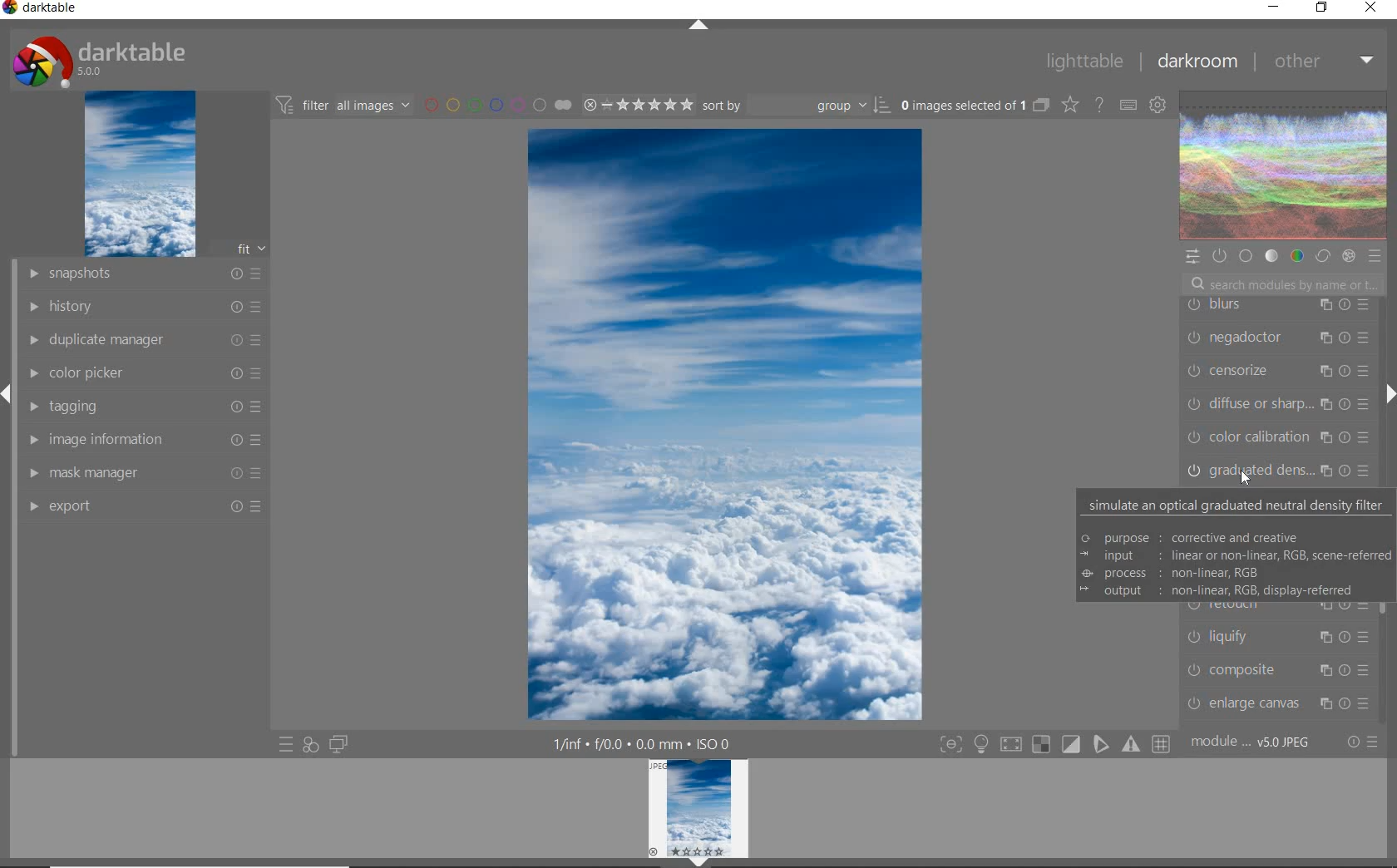 This screenshot has height=868, width=1397. Describe the element at coordinates (342, 105) in the screenshot. I see `FILTER ALL IMAGES` at that location.